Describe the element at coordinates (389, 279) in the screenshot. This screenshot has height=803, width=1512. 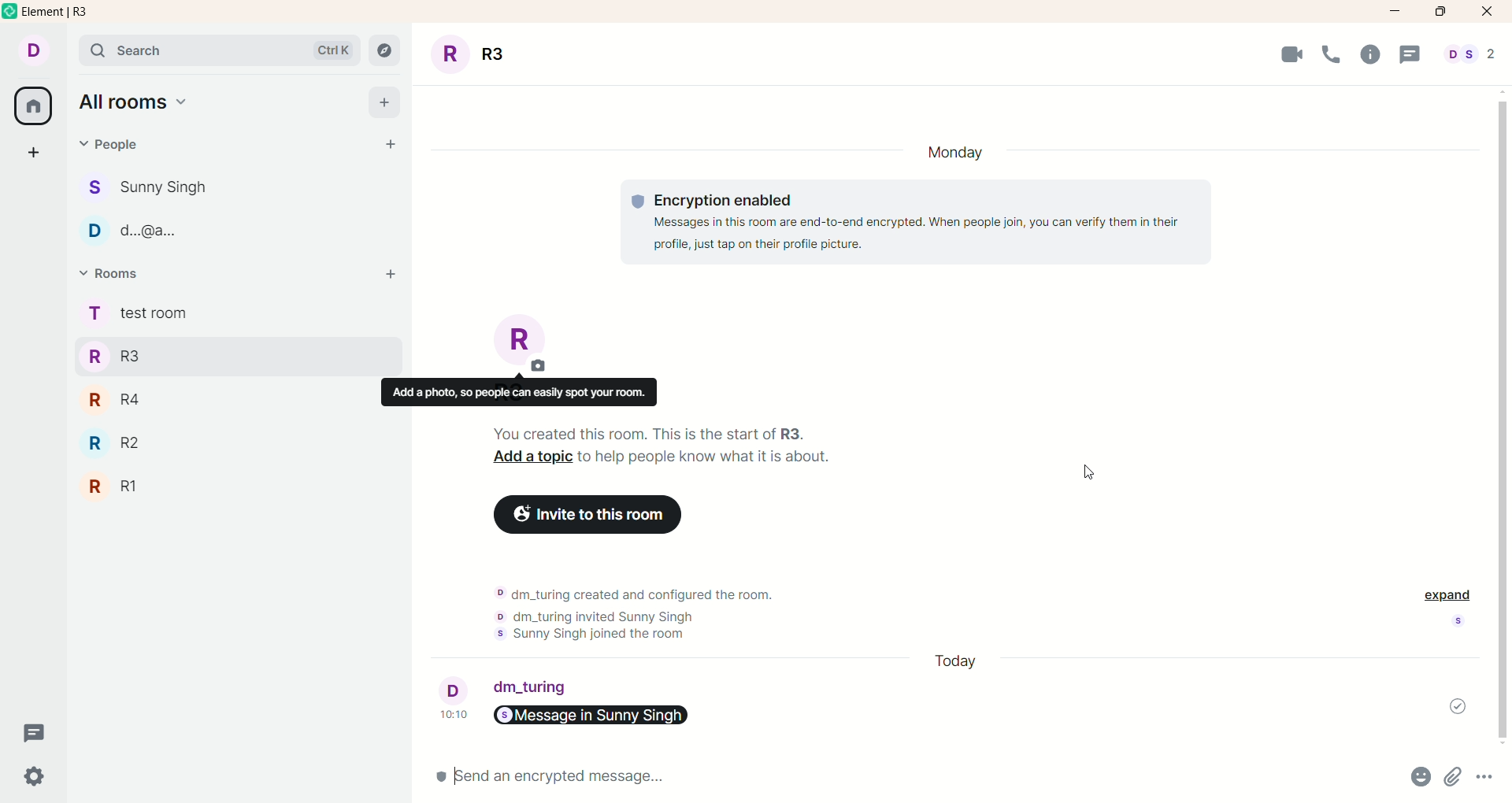
I see `add` at that location.